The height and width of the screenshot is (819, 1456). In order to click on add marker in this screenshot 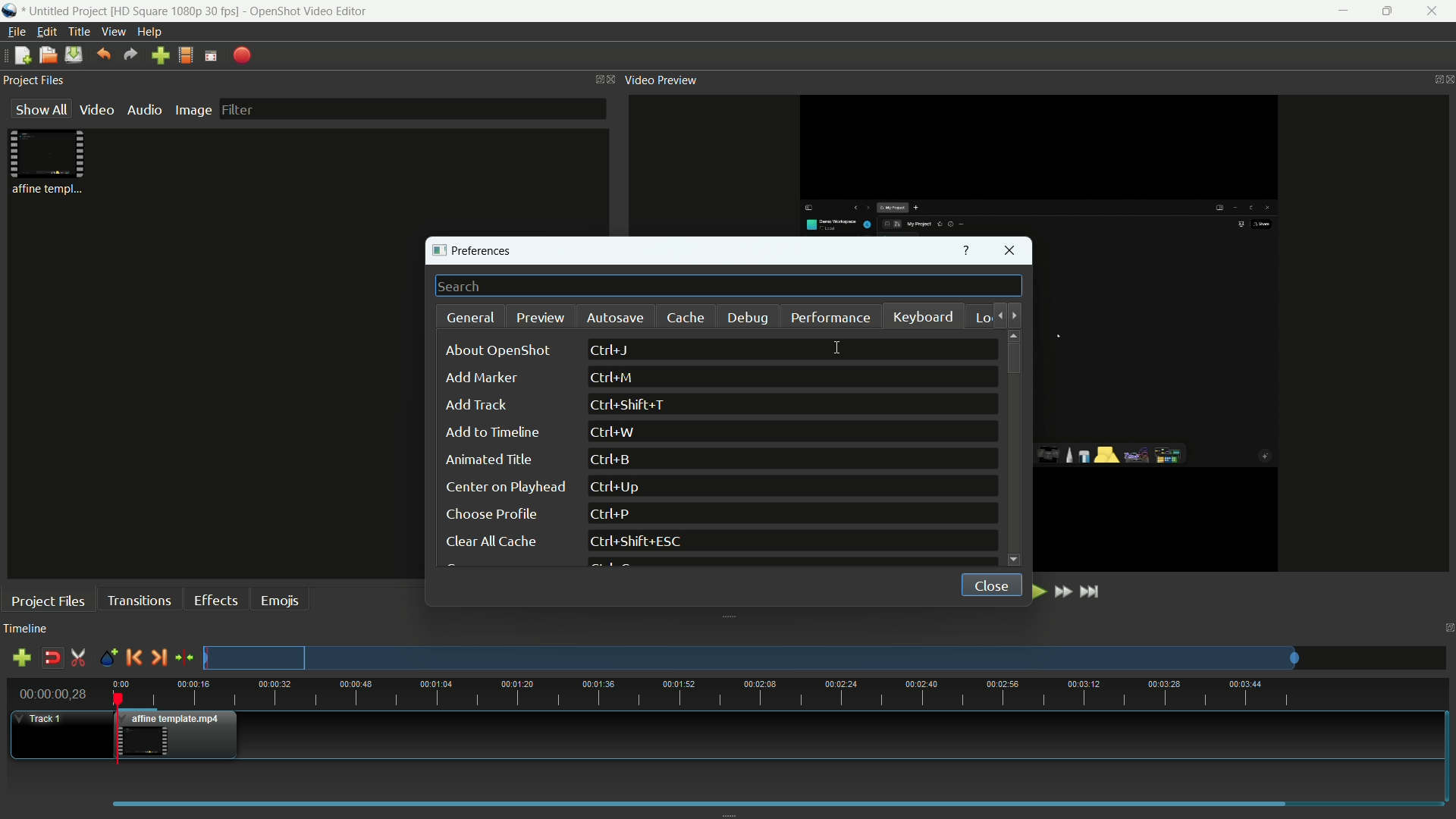, I will do `click(480, 379)`.